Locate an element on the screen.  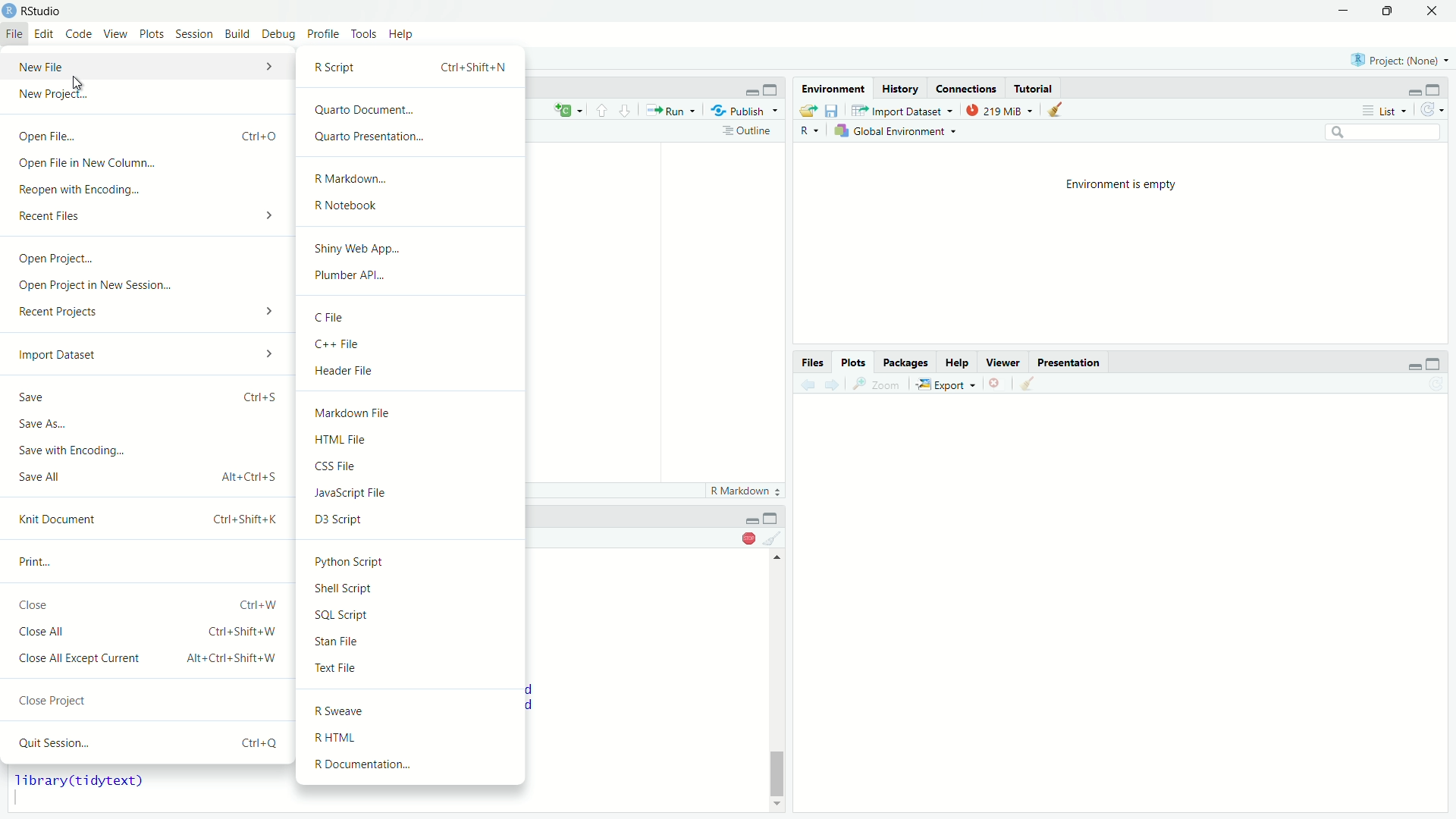
Close is located at coordinates (147, 601).